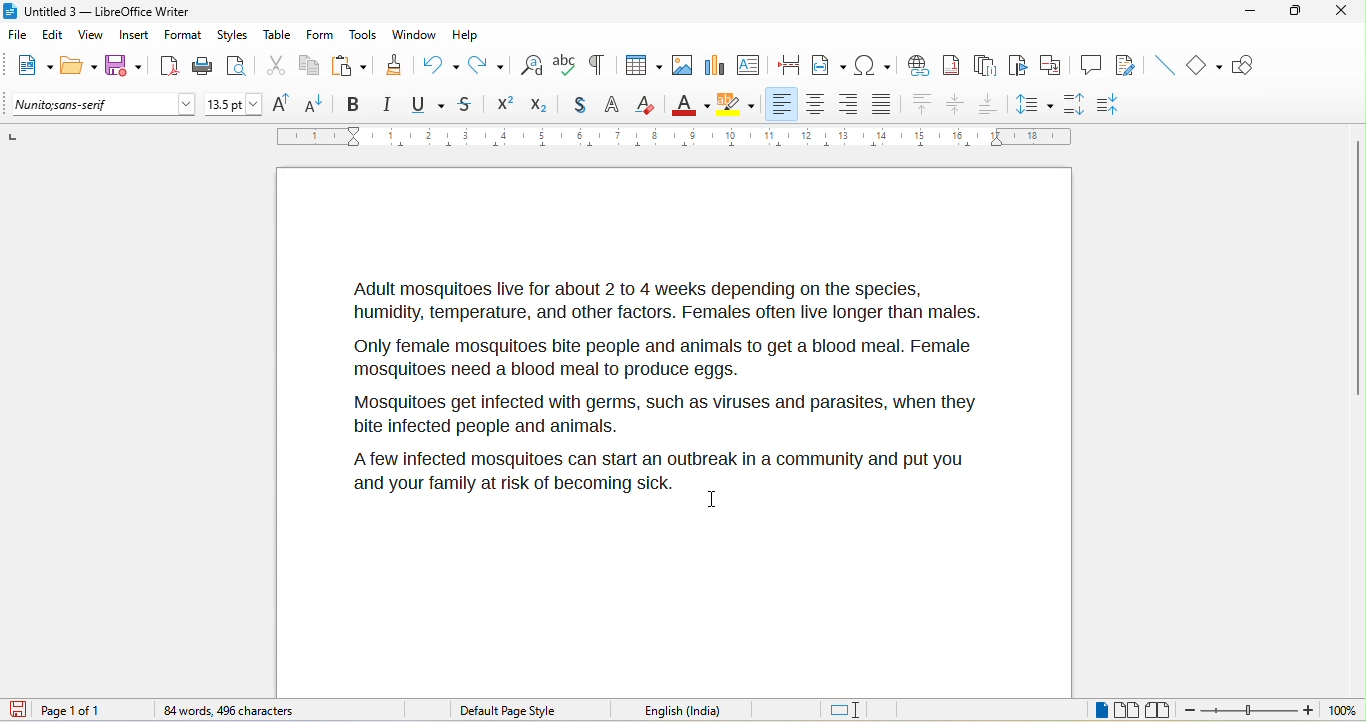 The image size is (1366, 722). Describe the element at coordinates (989, 103) in the screenshot. I see `align bottom` at that location.